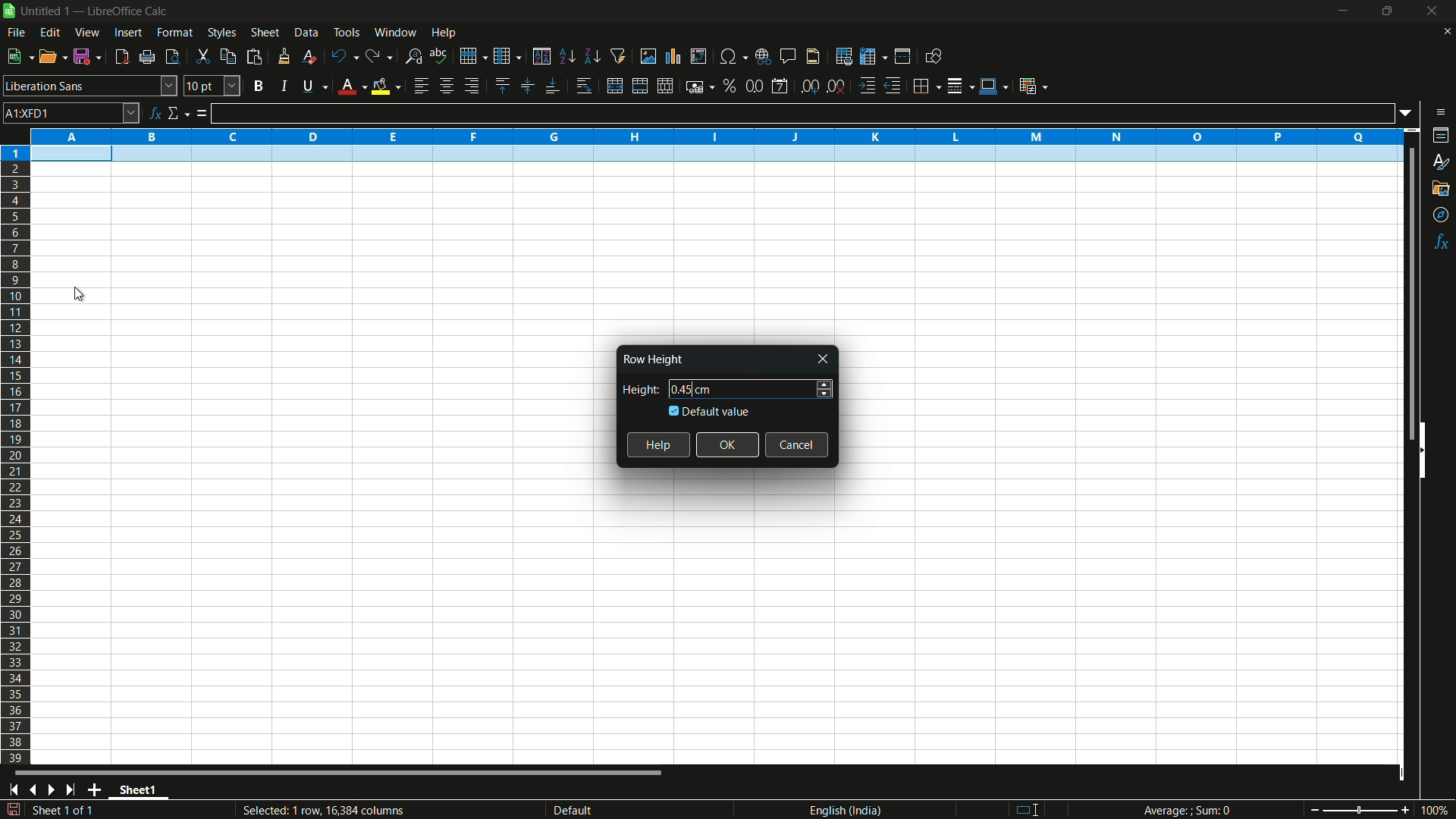 The image size is (1456, 819). I want to click on format menu, so click(175, 33).